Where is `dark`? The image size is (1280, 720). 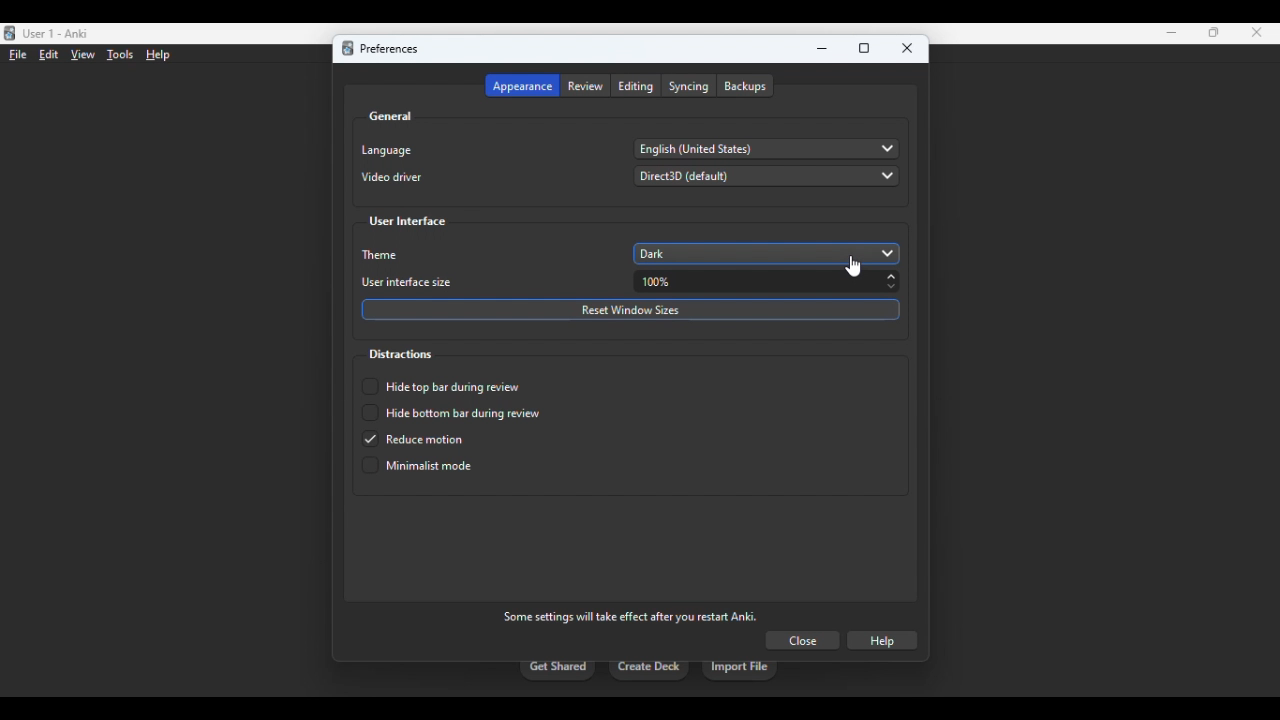
dark is located at coordinates (768, 253).